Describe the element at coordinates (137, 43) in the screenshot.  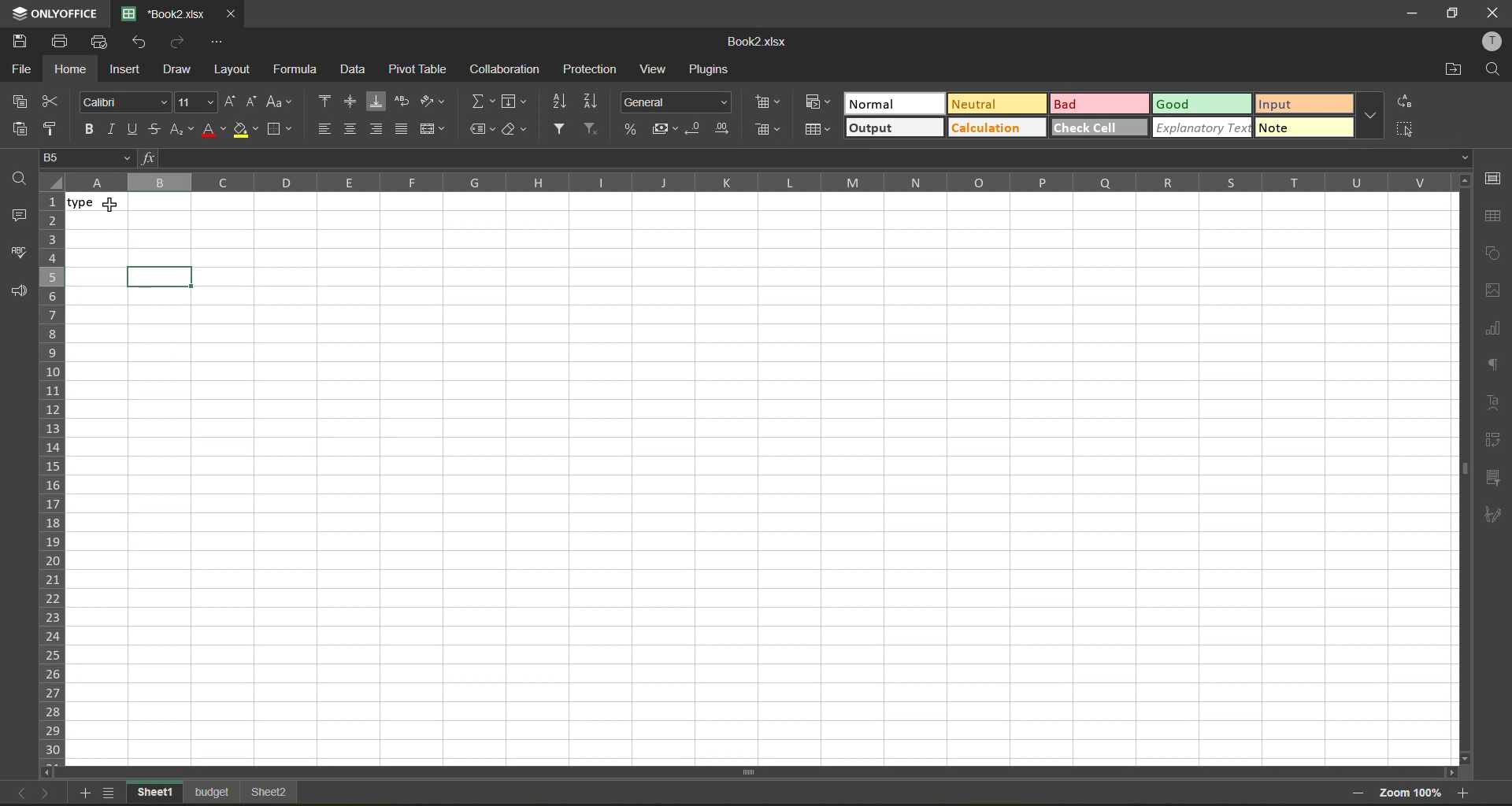
I see `undo` at that location.